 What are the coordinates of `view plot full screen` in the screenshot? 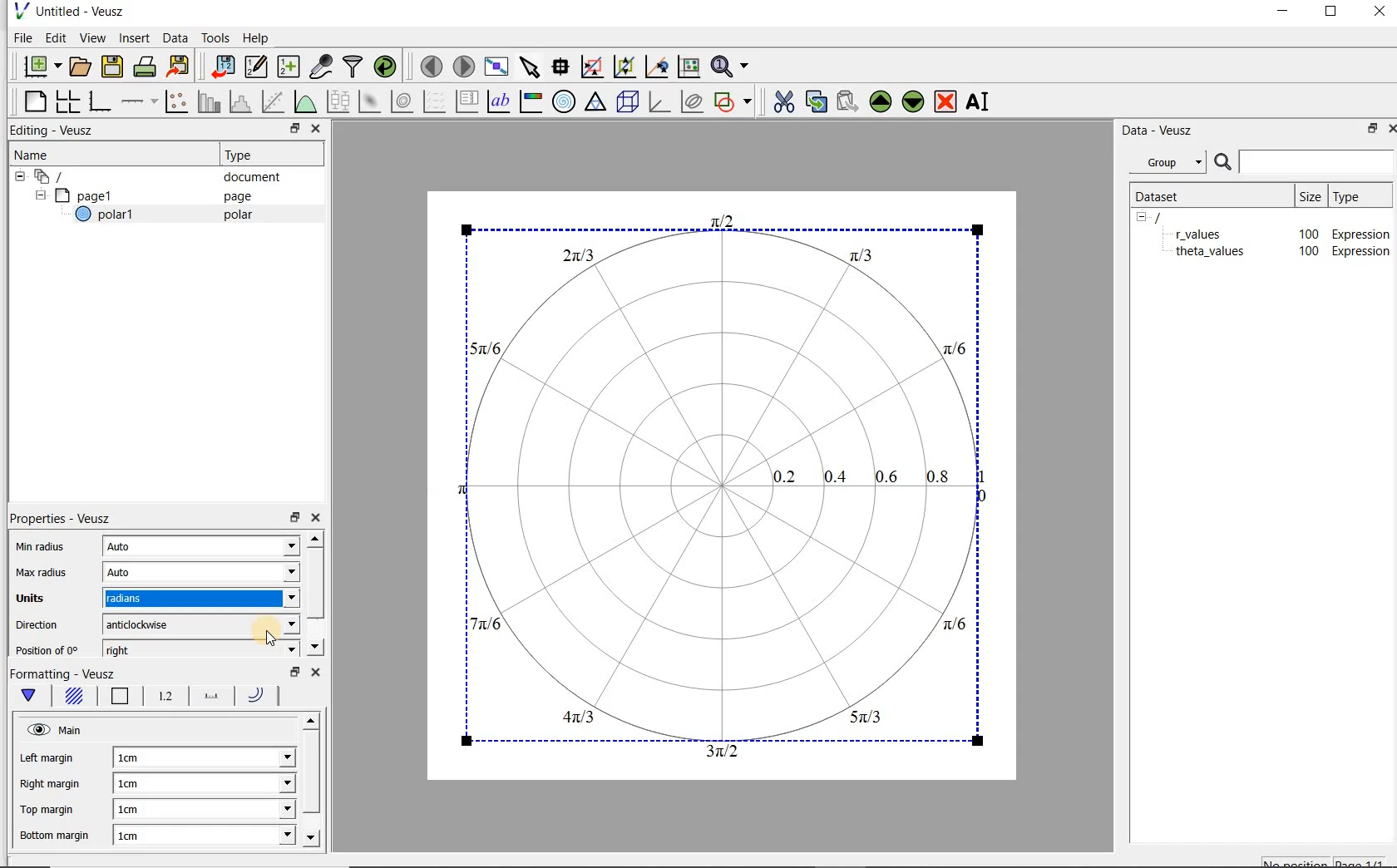 It's located at (495, 65).